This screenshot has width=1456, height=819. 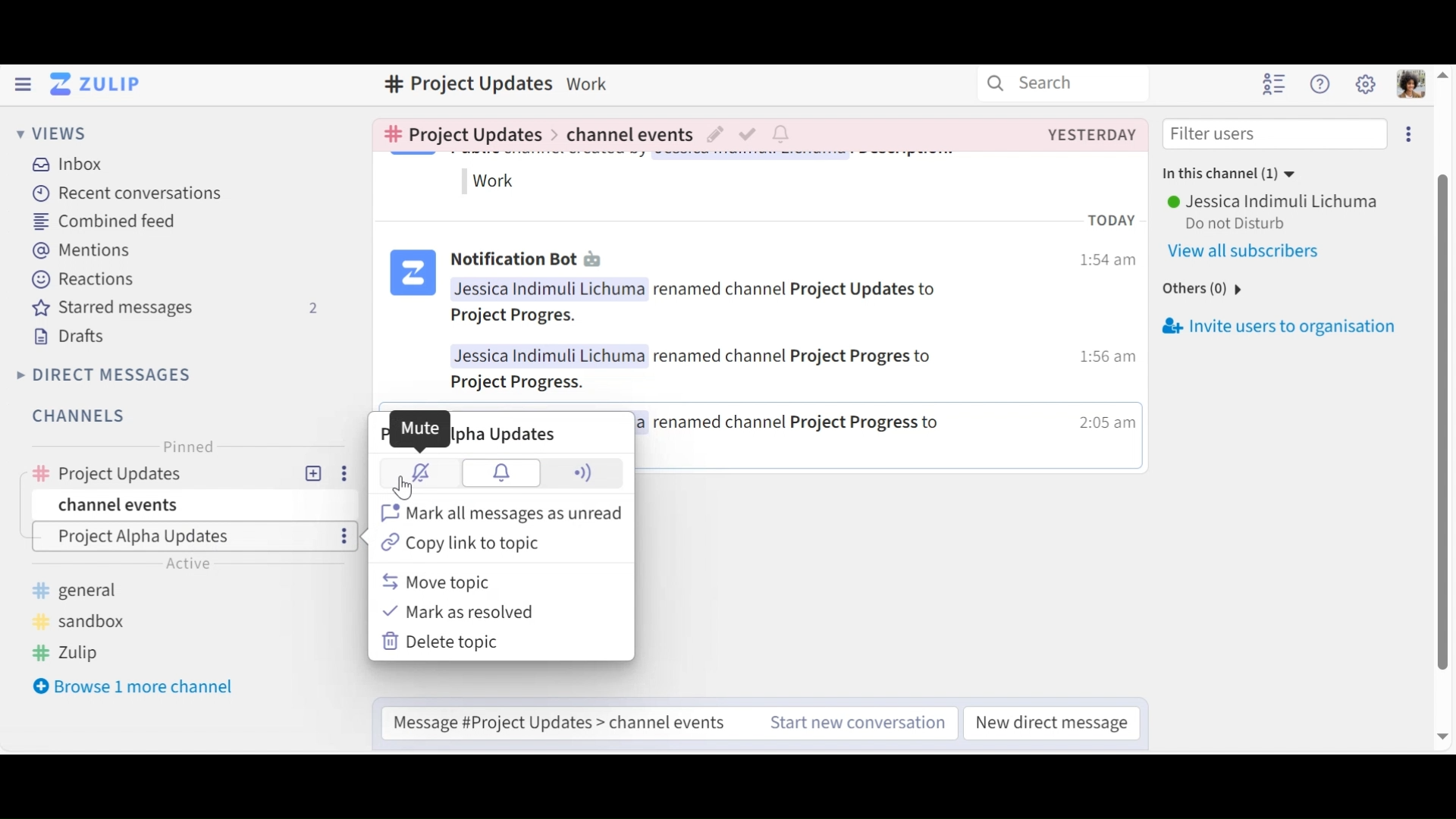 What do you see at coordinates (81, 621) in the screenshot?
I see `sandbox` at bounding box center [81, 621].